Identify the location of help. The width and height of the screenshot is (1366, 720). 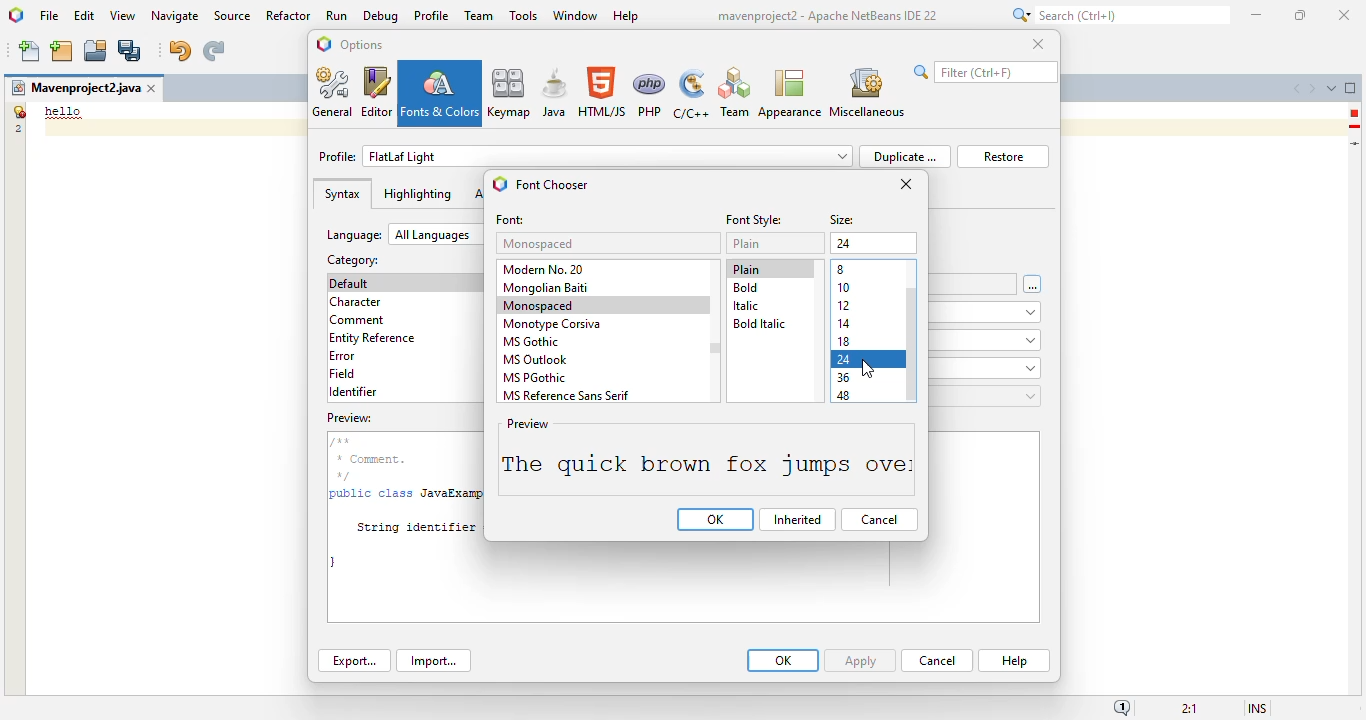
(1015, 661).